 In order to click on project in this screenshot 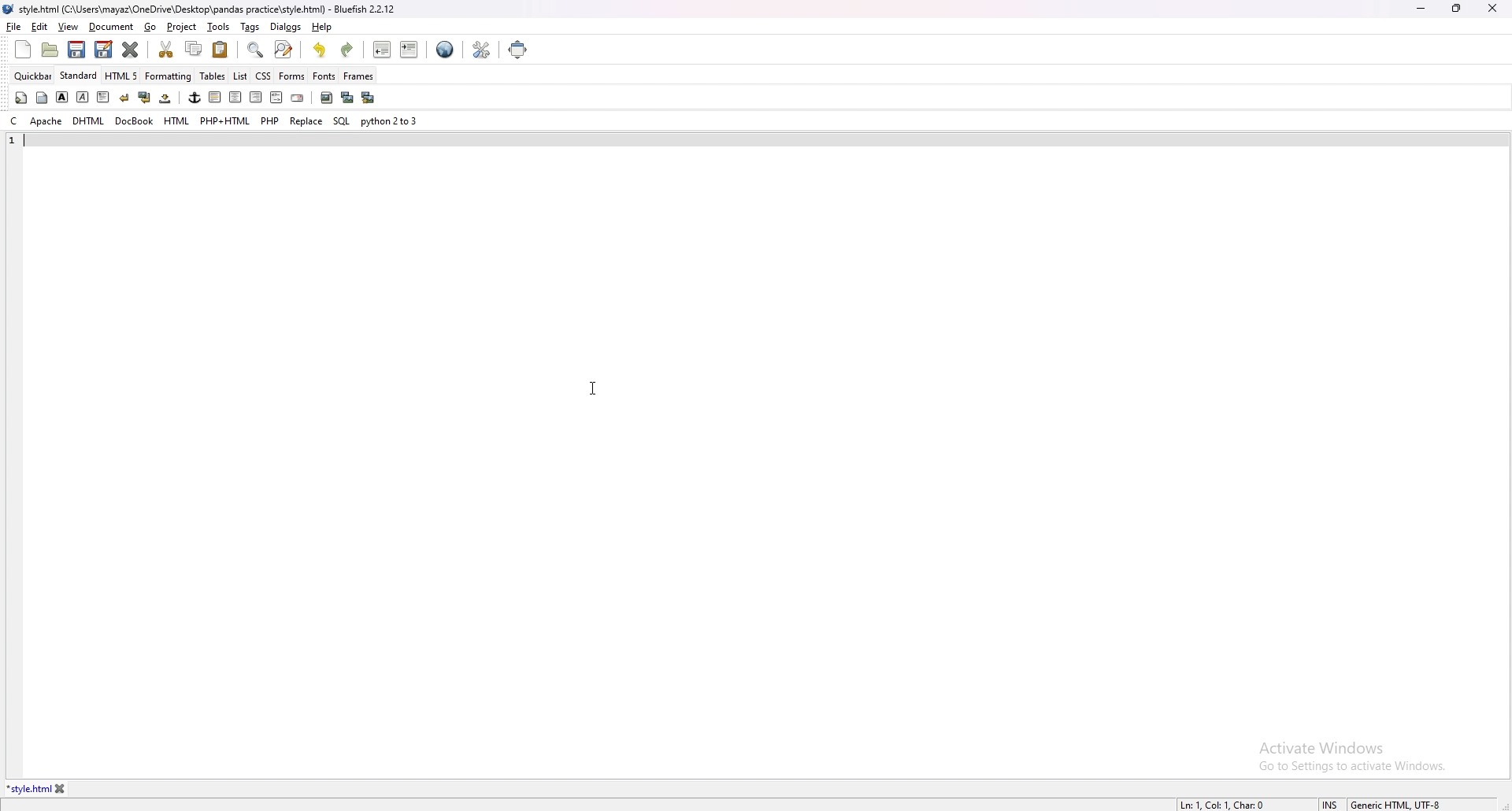, I will do `click(183, 27)`.